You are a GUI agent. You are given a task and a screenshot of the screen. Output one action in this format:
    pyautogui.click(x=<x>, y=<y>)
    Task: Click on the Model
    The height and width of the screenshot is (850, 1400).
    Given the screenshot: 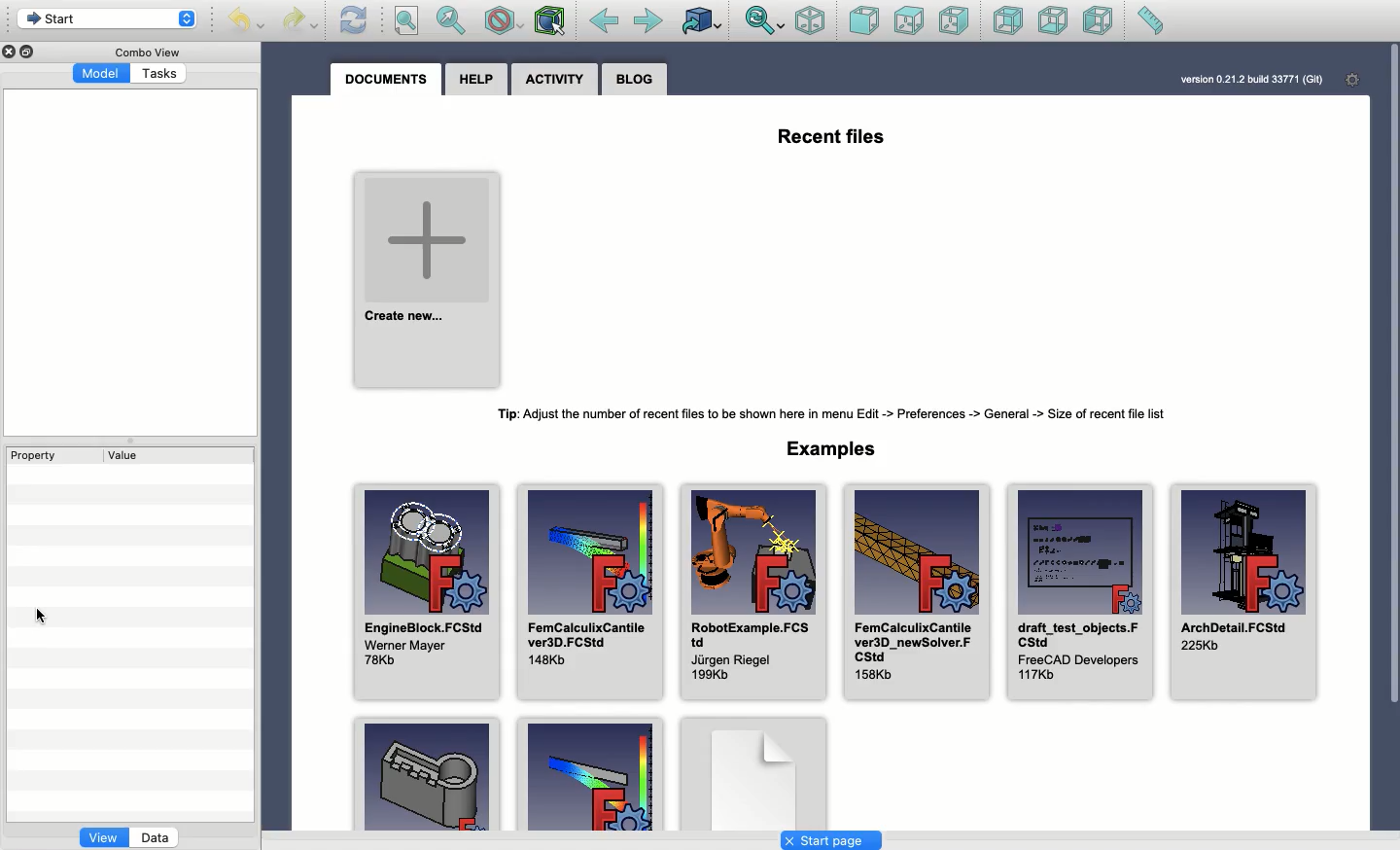 What is the action you would take?
    pyautogui.click(x=98, y=73)
    